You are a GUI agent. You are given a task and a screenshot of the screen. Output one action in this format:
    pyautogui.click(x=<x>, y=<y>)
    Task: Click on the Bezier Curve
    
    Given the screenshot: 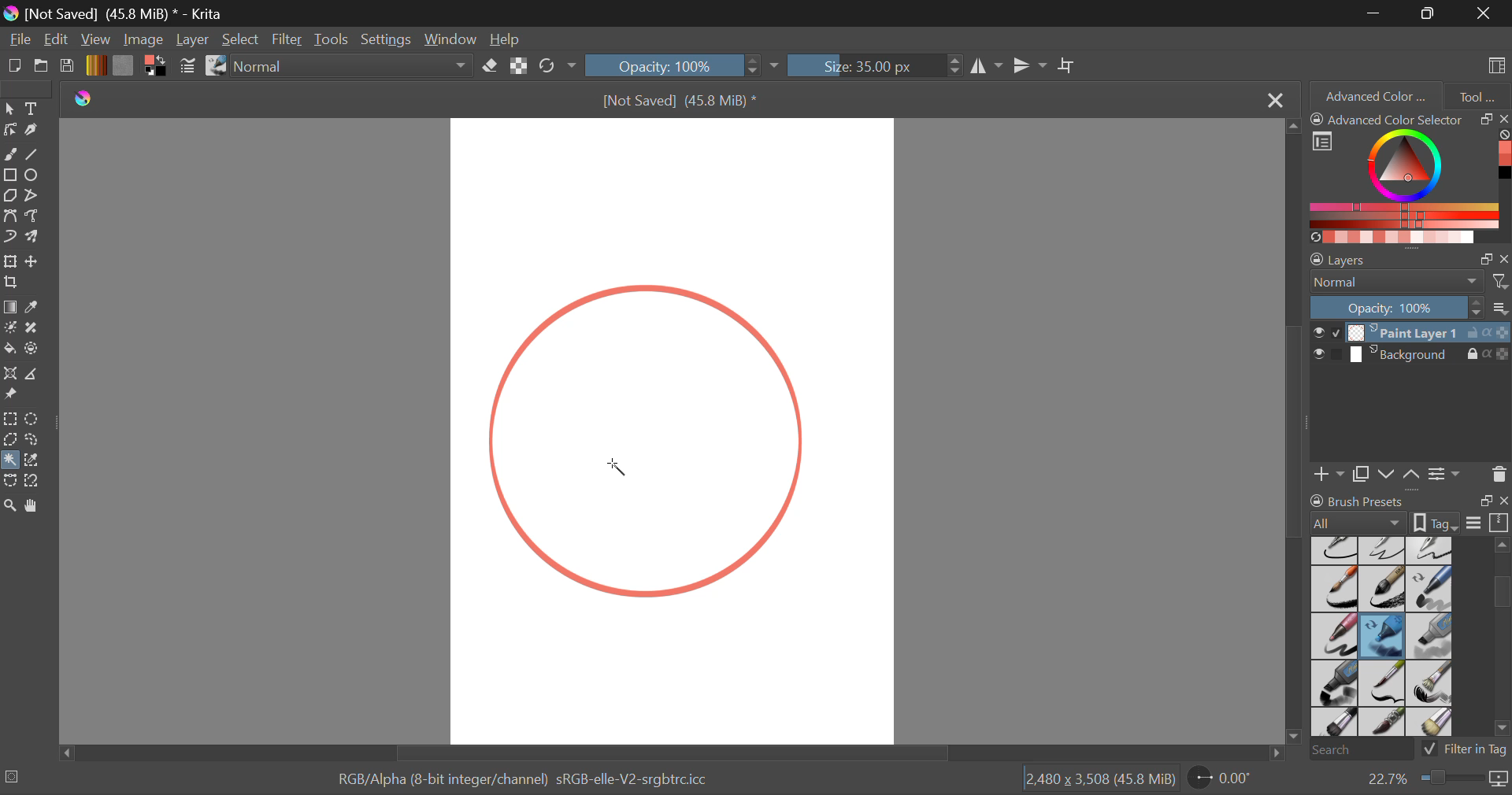 What is the action you would take?
    pyautogui.click(x=13, y=218)
    